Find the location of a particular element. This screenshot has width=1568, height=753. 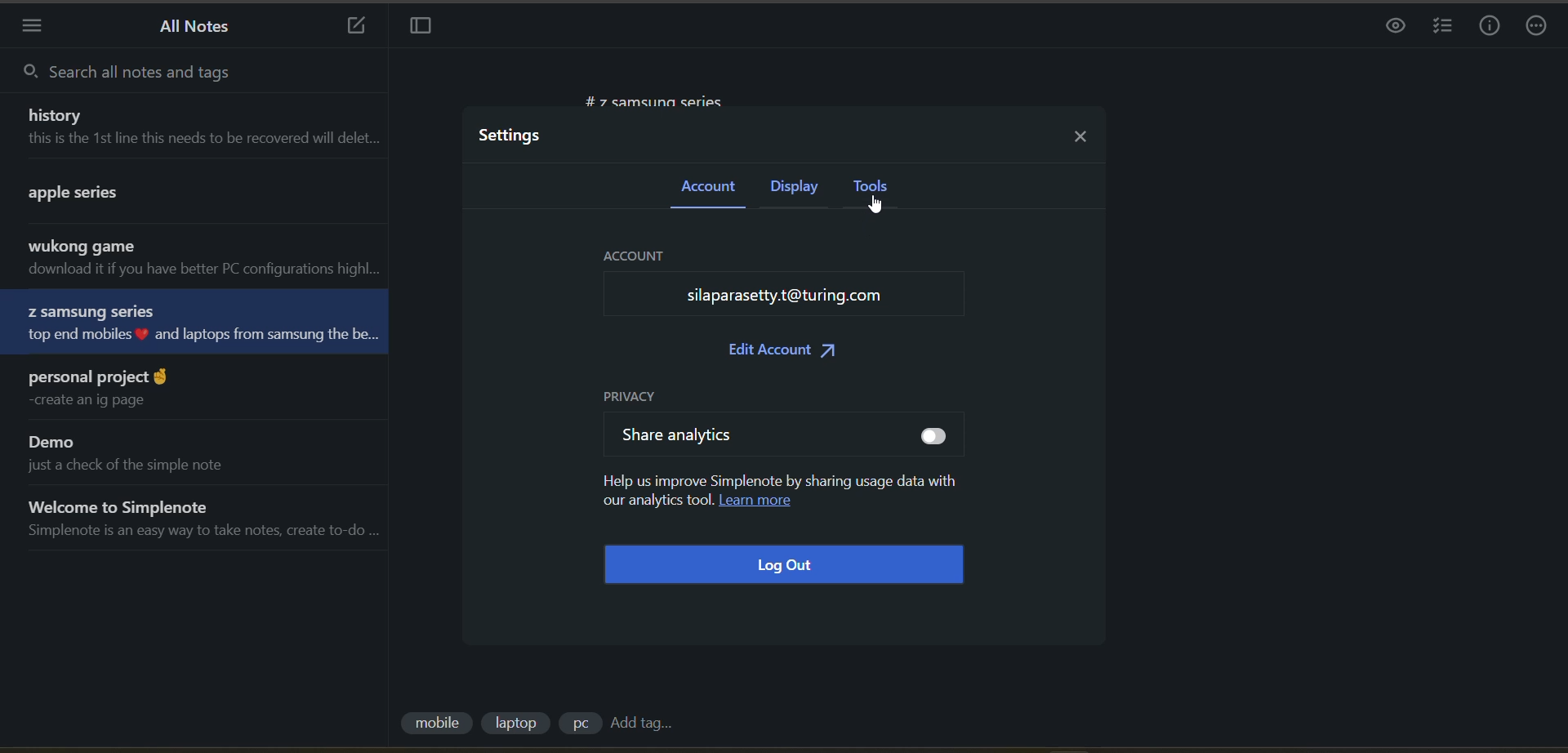

info is located at coordinates (1488, 27).